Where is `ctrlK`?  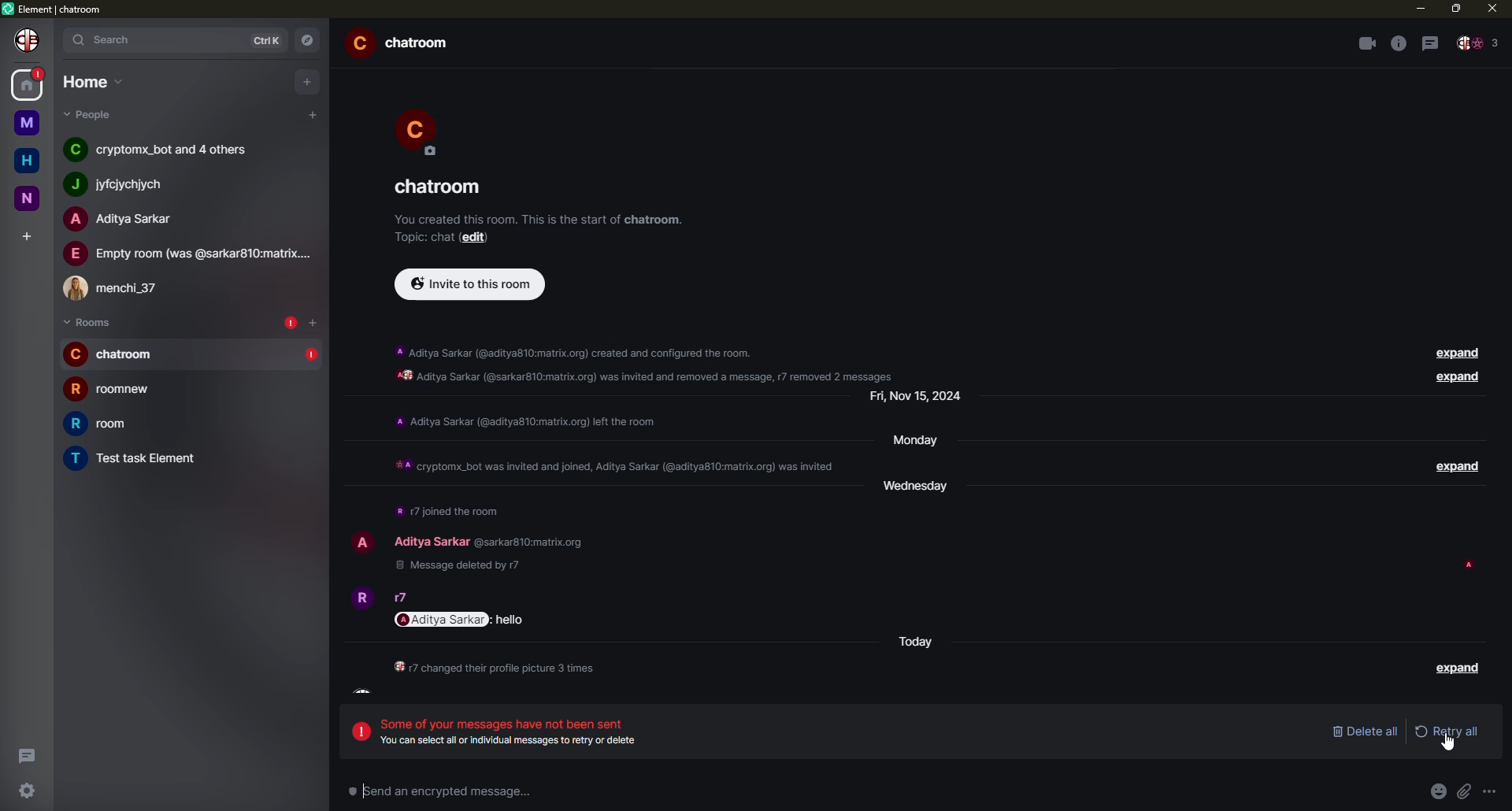
ctrlK is located at coordinates (270, 39).